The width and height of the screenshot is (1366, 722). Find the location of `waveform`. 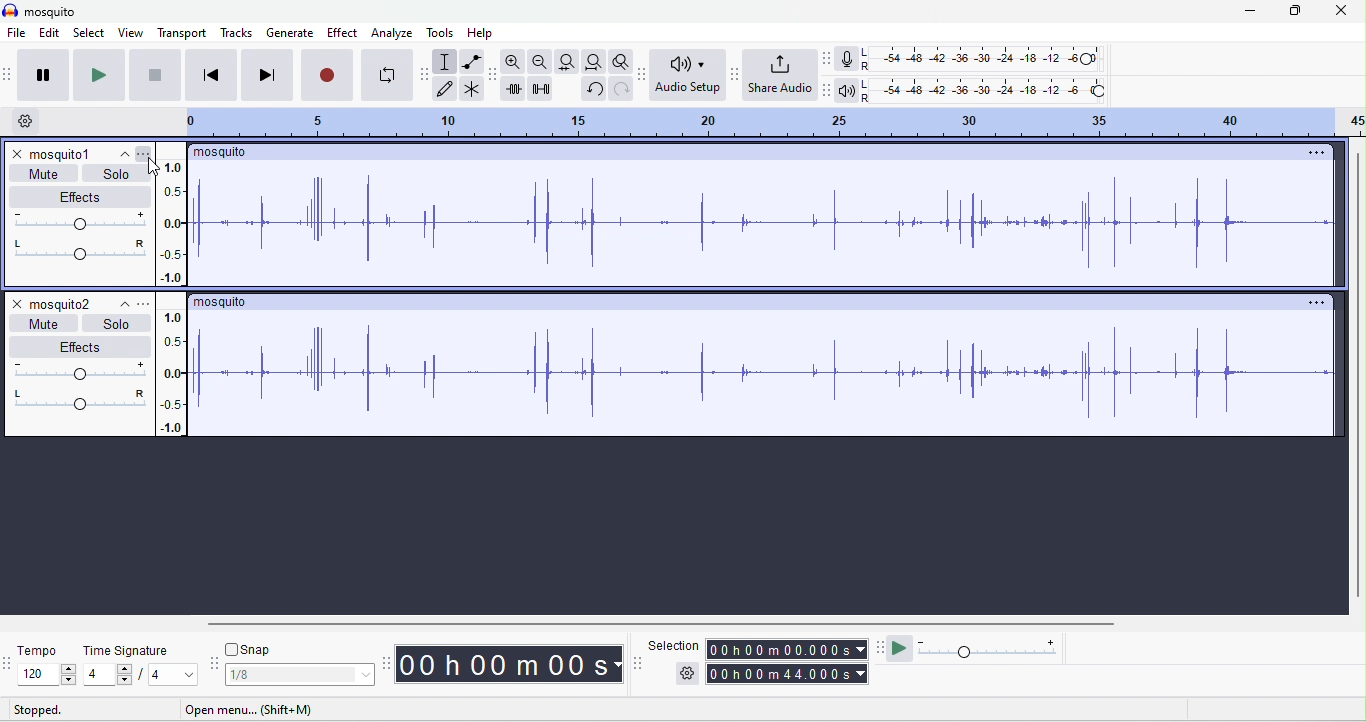

waveform is located at coordinates (759, 225).